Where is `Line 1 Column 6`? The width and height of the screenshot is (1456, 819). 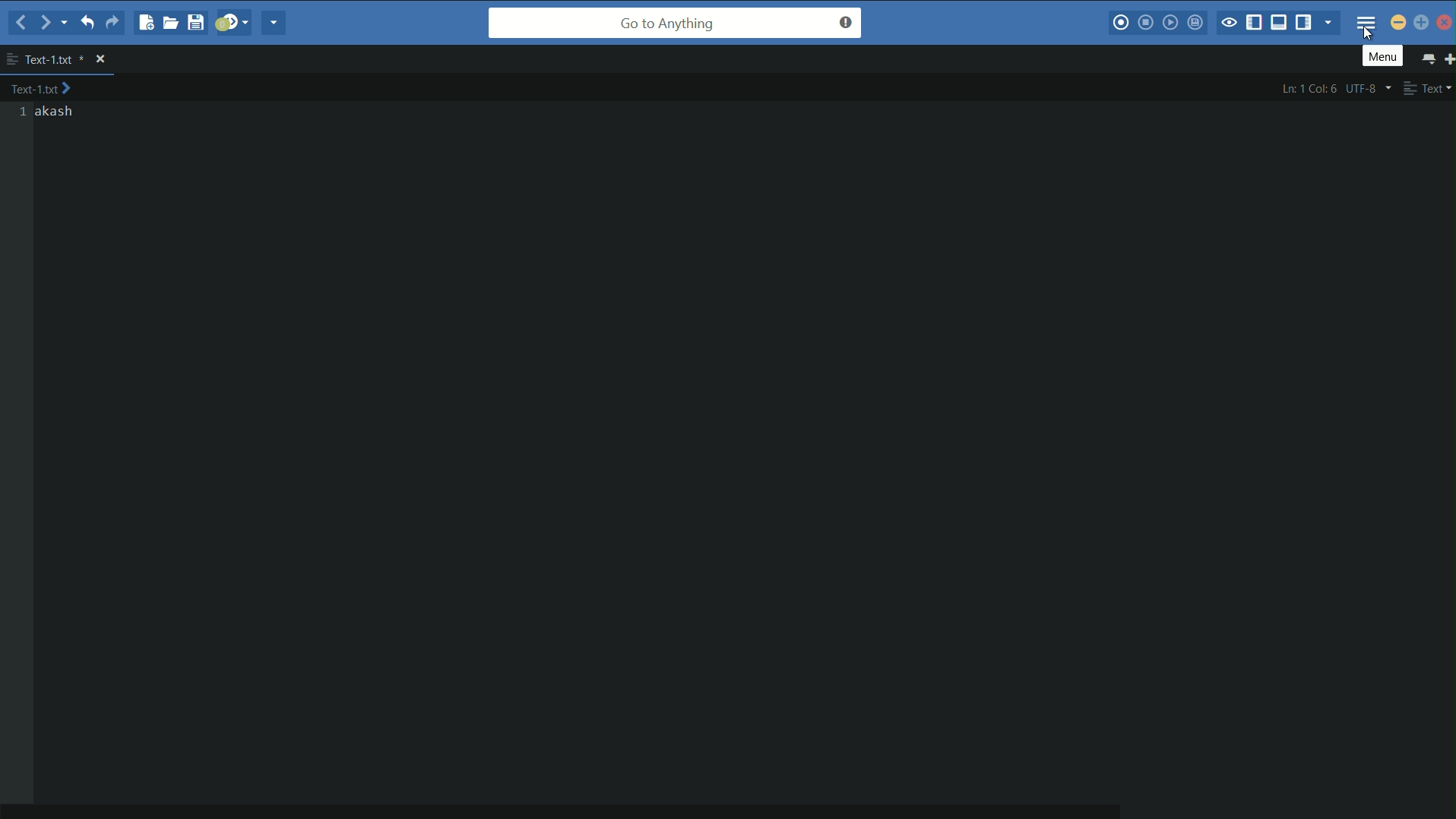
Line 1 Column 6 is located at coordinates (1310, 88).